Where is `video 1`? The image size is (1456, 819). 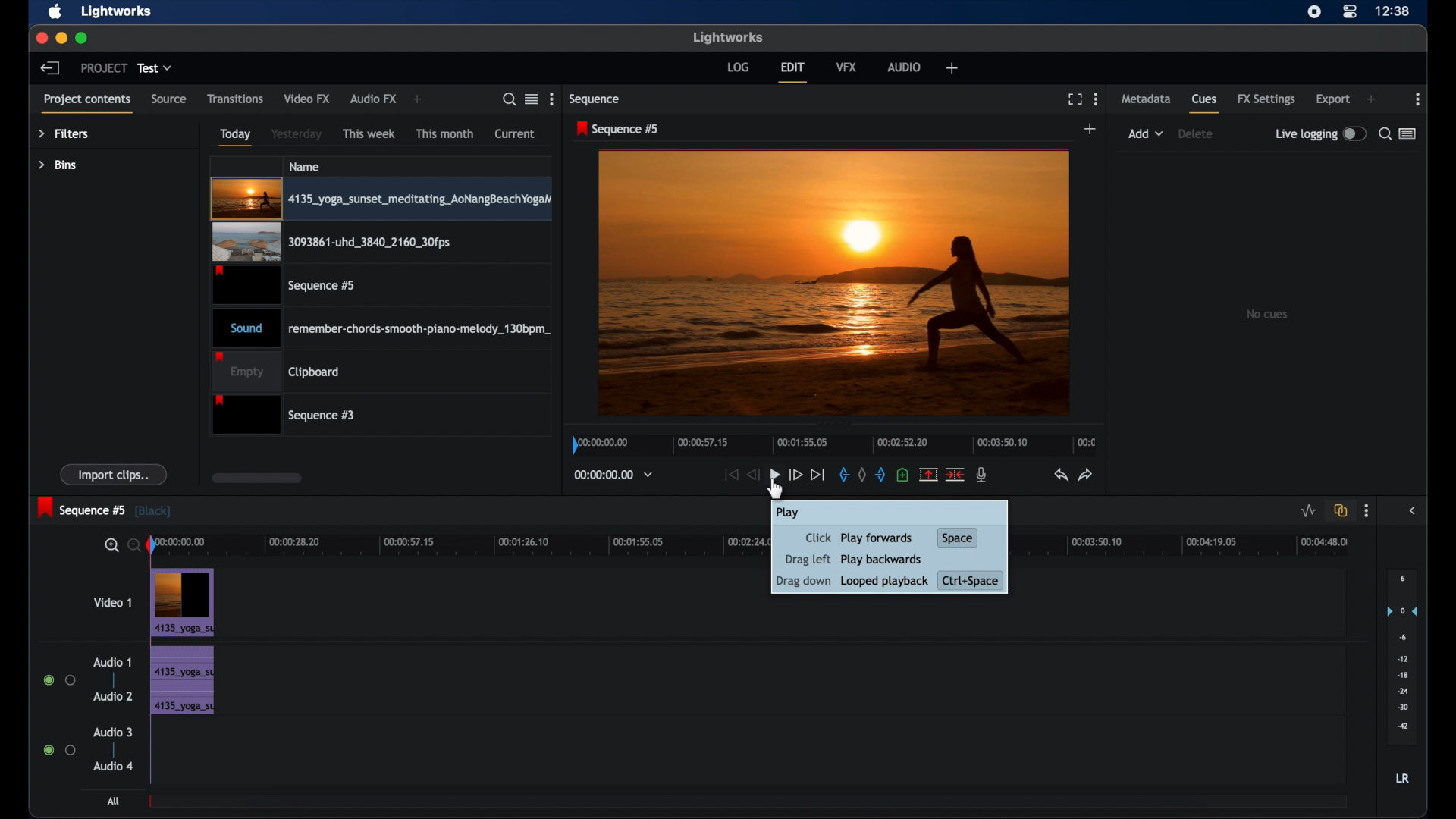 video 1 is located at coordinates (114, 603).